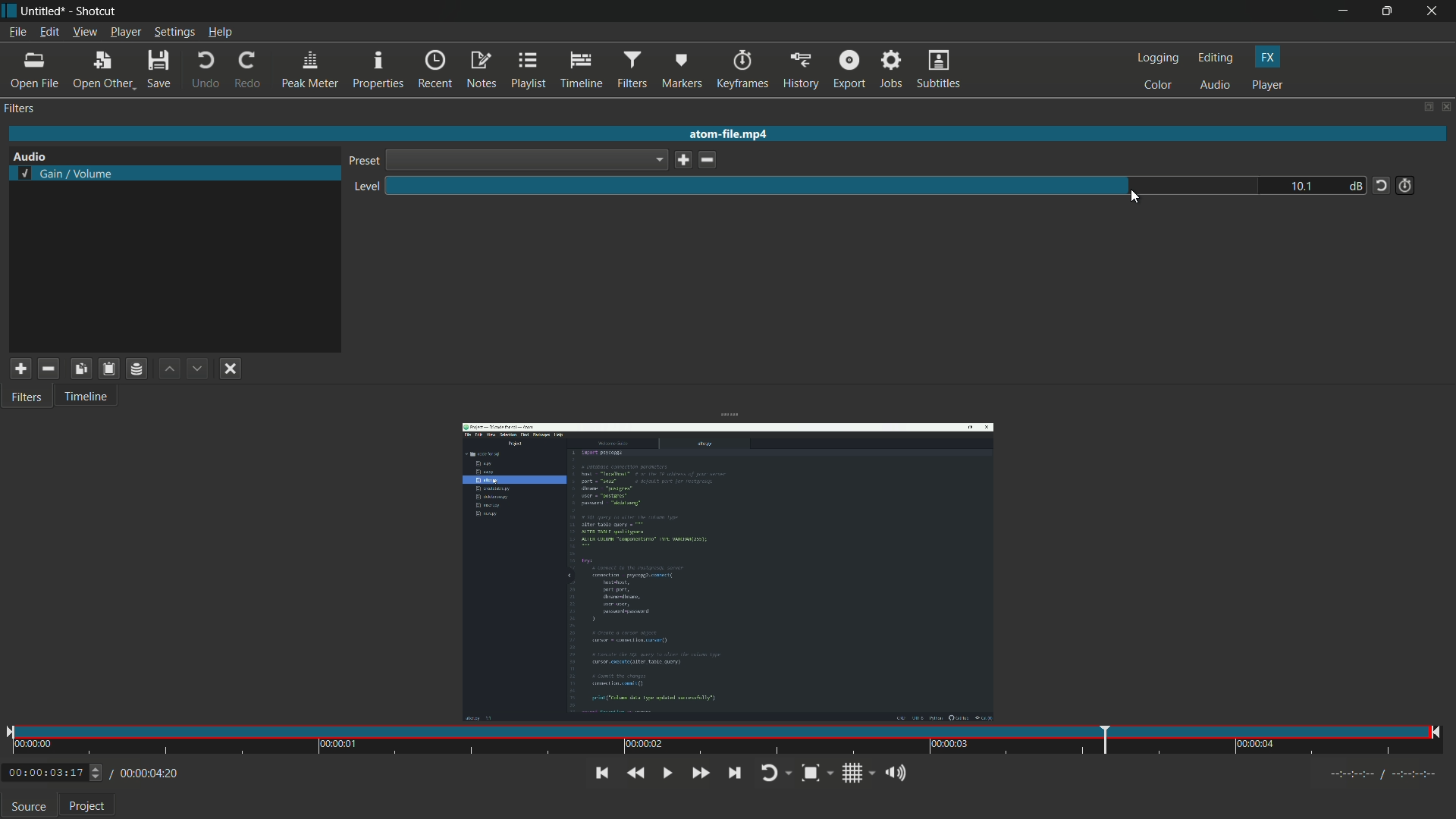 The height and width of the screenshot is (819, 1456). What do you see at coordinates (632, 71) in the screenshot?
I see `filters` at bounding box center [632, 71].